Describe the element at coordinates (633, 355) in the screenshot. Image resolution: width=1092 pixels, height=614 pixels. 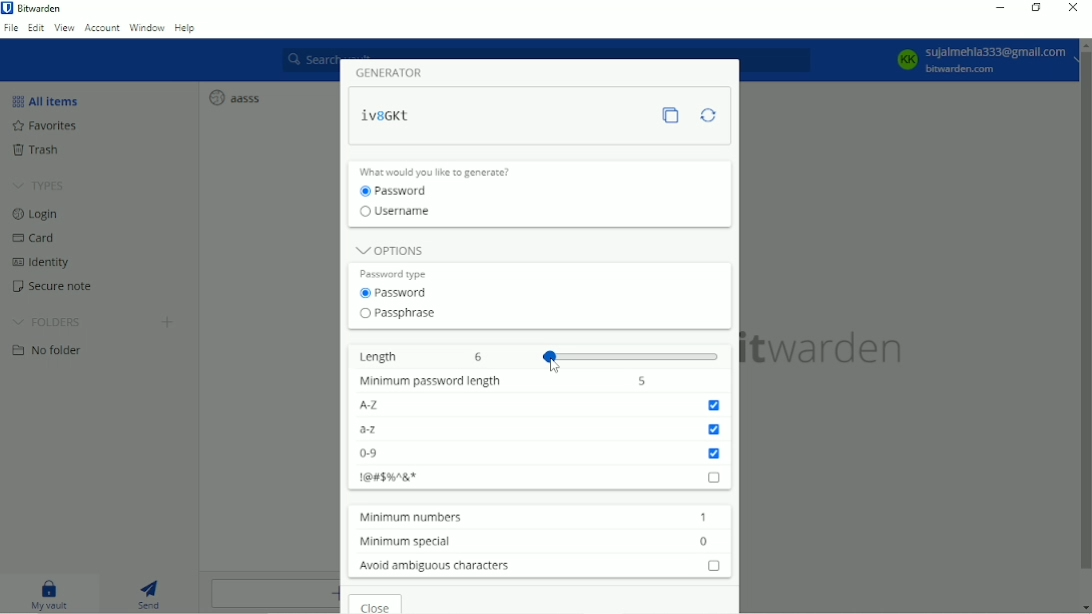
I see `Slider` at that location.